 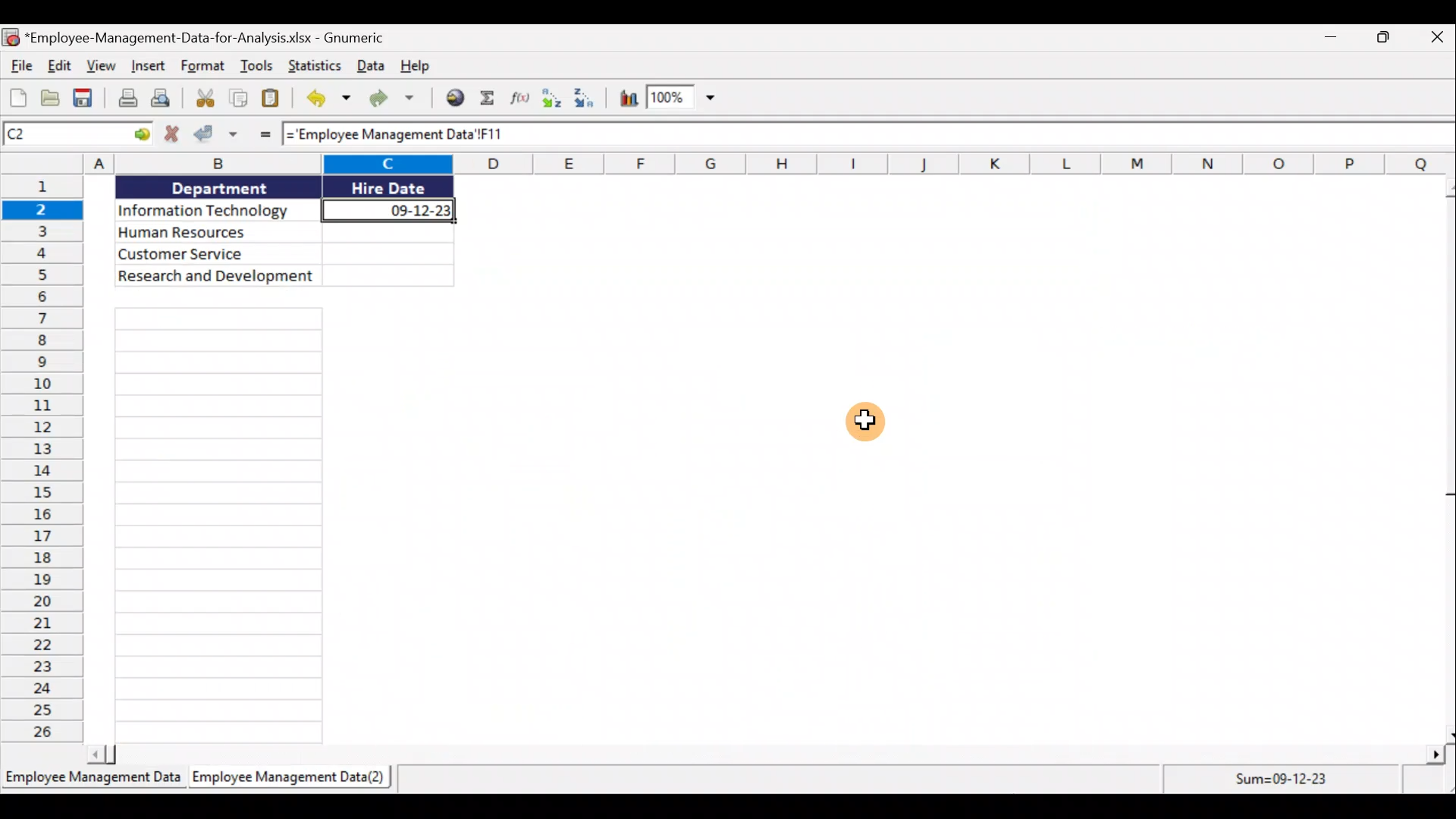 What do you see at coordinates (194, 36) in the screenshot?
I see `Document name` at bounding box center [194, 36].